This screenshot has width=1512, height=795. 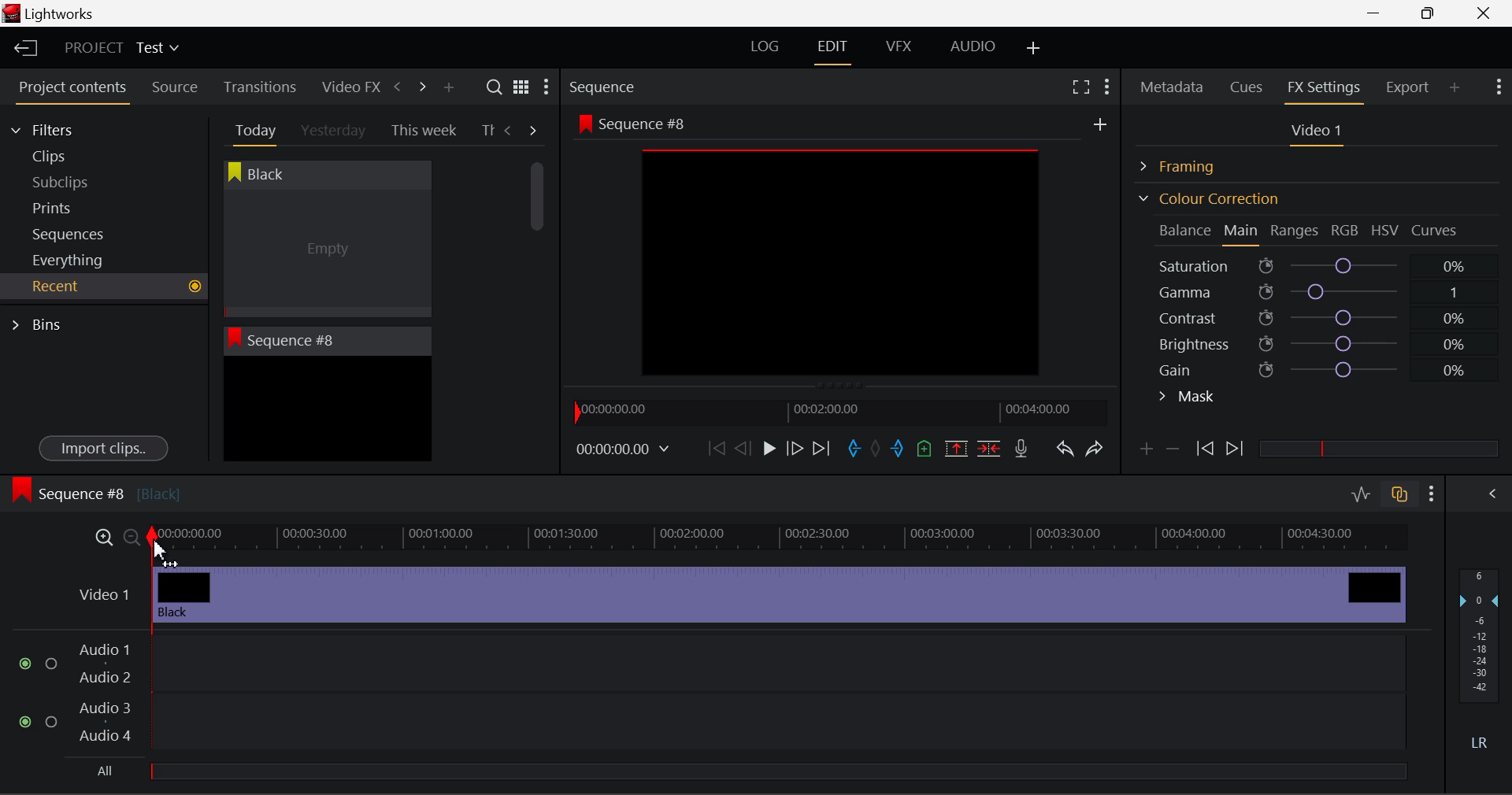 What do you see at coordinates (923, 449) in the screenshot?
I see `Mark Cue` at bounding box center [923, 449].